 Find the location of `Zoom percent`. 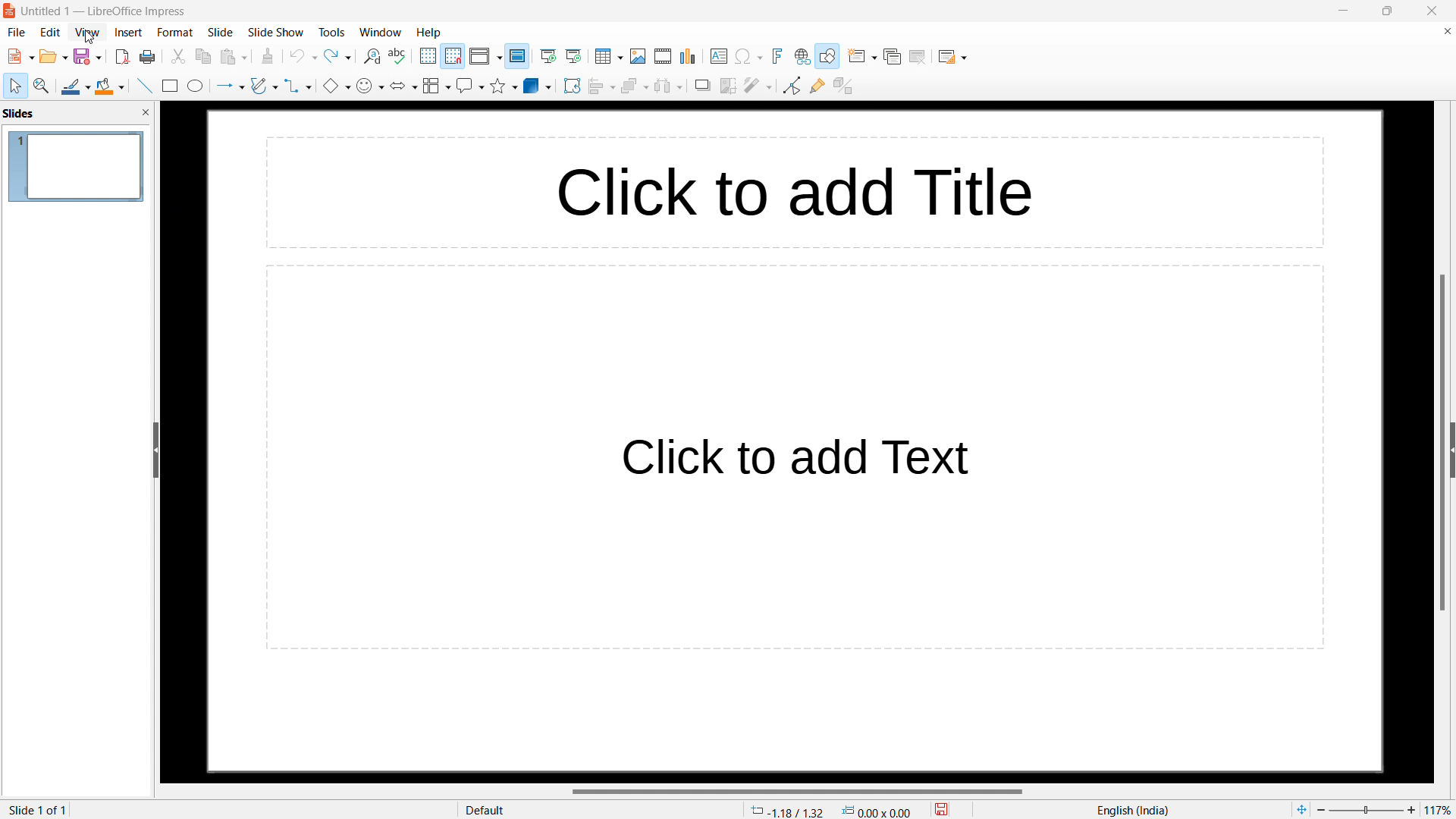

Zoom percent is located at coordinates (1367, 810).